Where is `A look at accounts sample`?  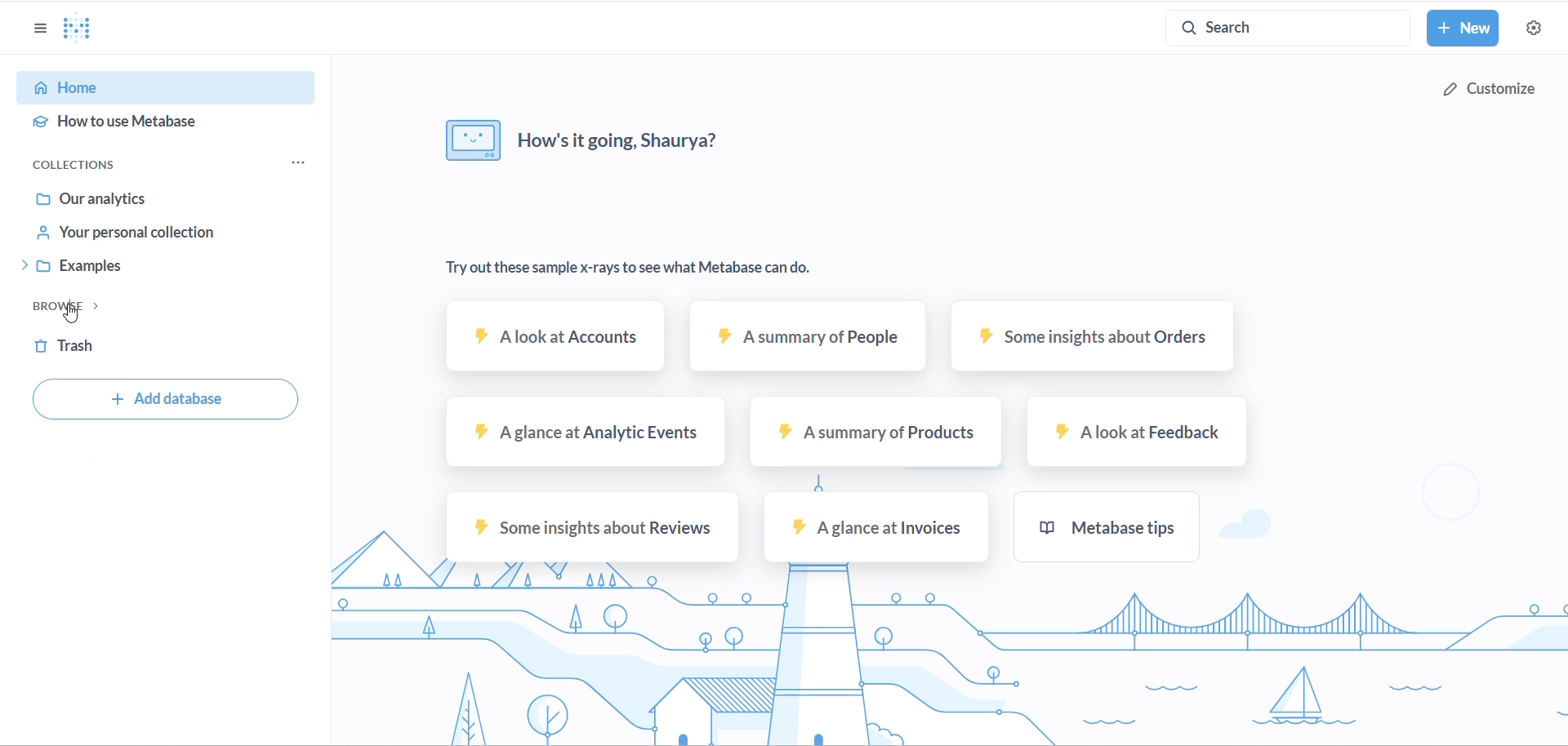
A look at accounts sample is located at coordinates (555, 341).